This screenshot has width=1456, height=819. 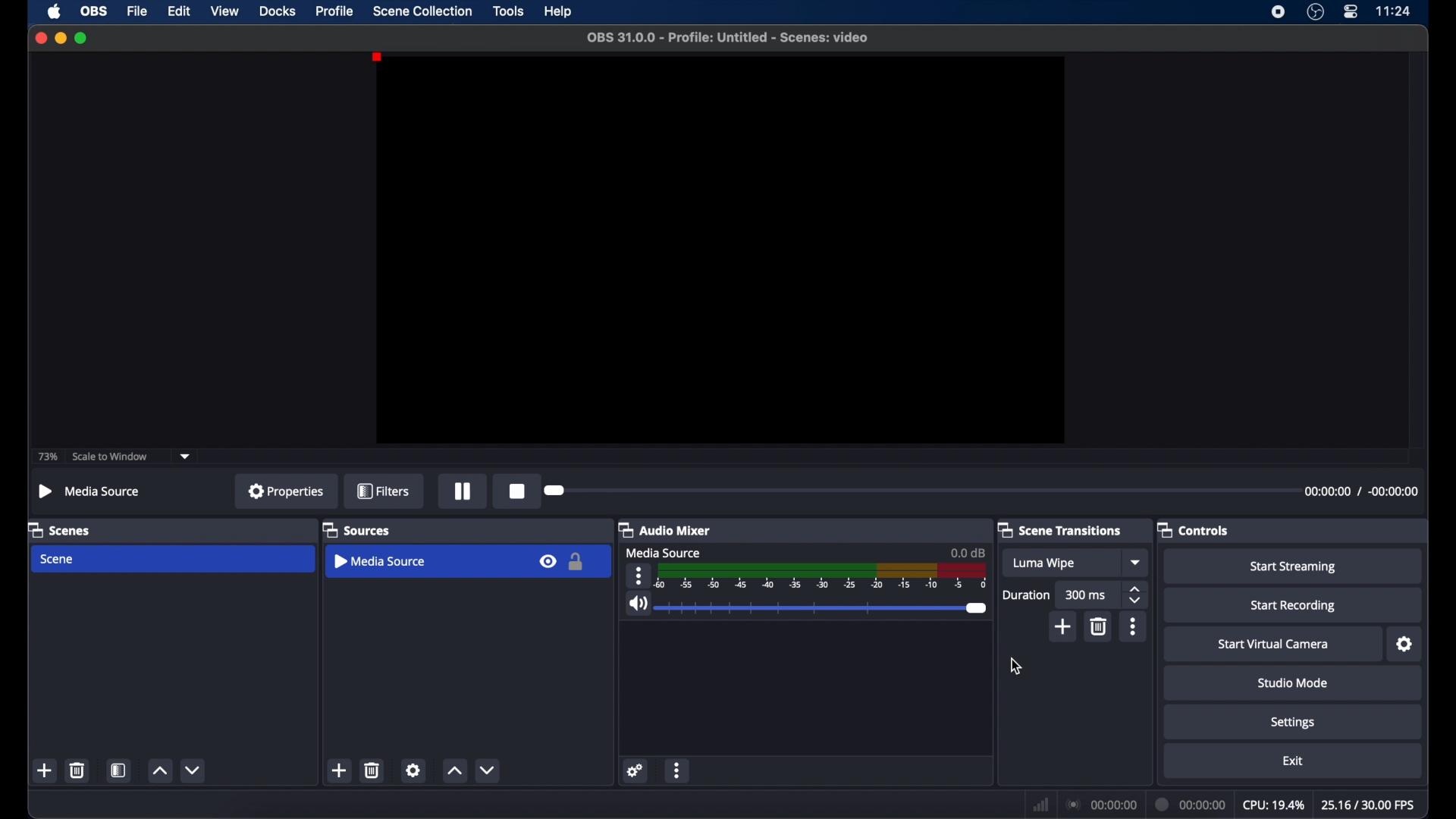 I want to click on apple icon, so click(x=54, y=12).